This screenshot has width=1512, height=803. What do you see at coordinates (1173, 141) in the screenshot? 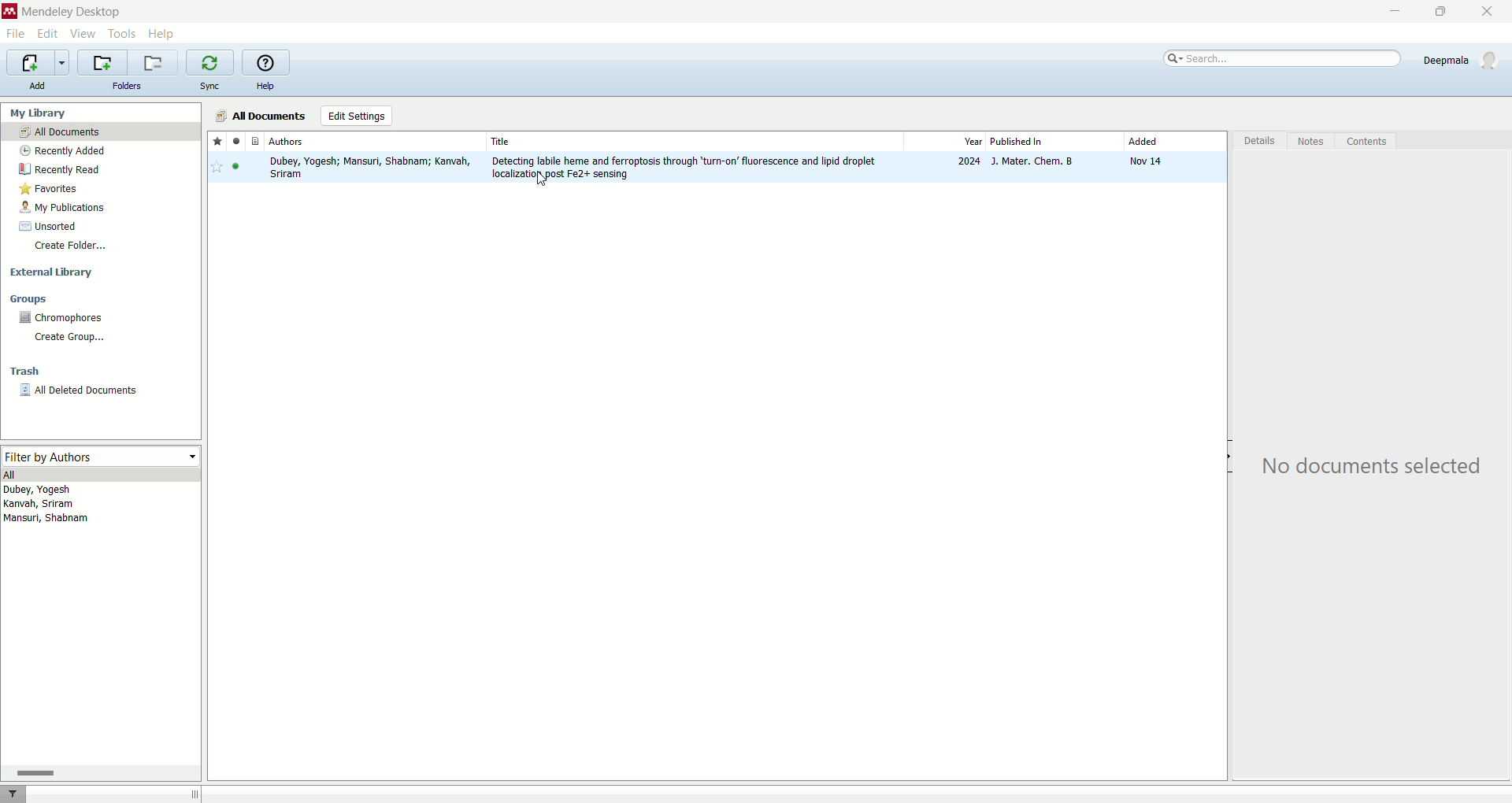
I see `added` at bounding box center [1173, 141].